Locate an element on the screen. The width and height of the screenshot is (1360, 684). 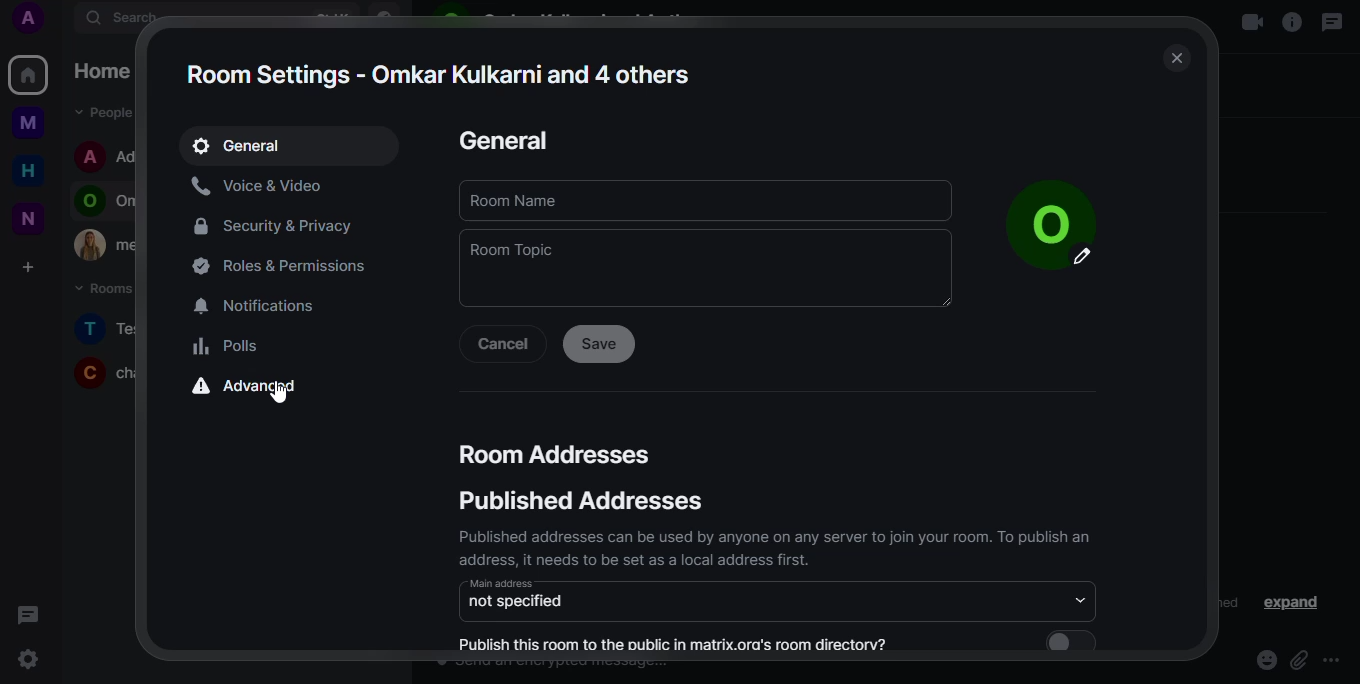
room topic is located at coordinates (519, 251).